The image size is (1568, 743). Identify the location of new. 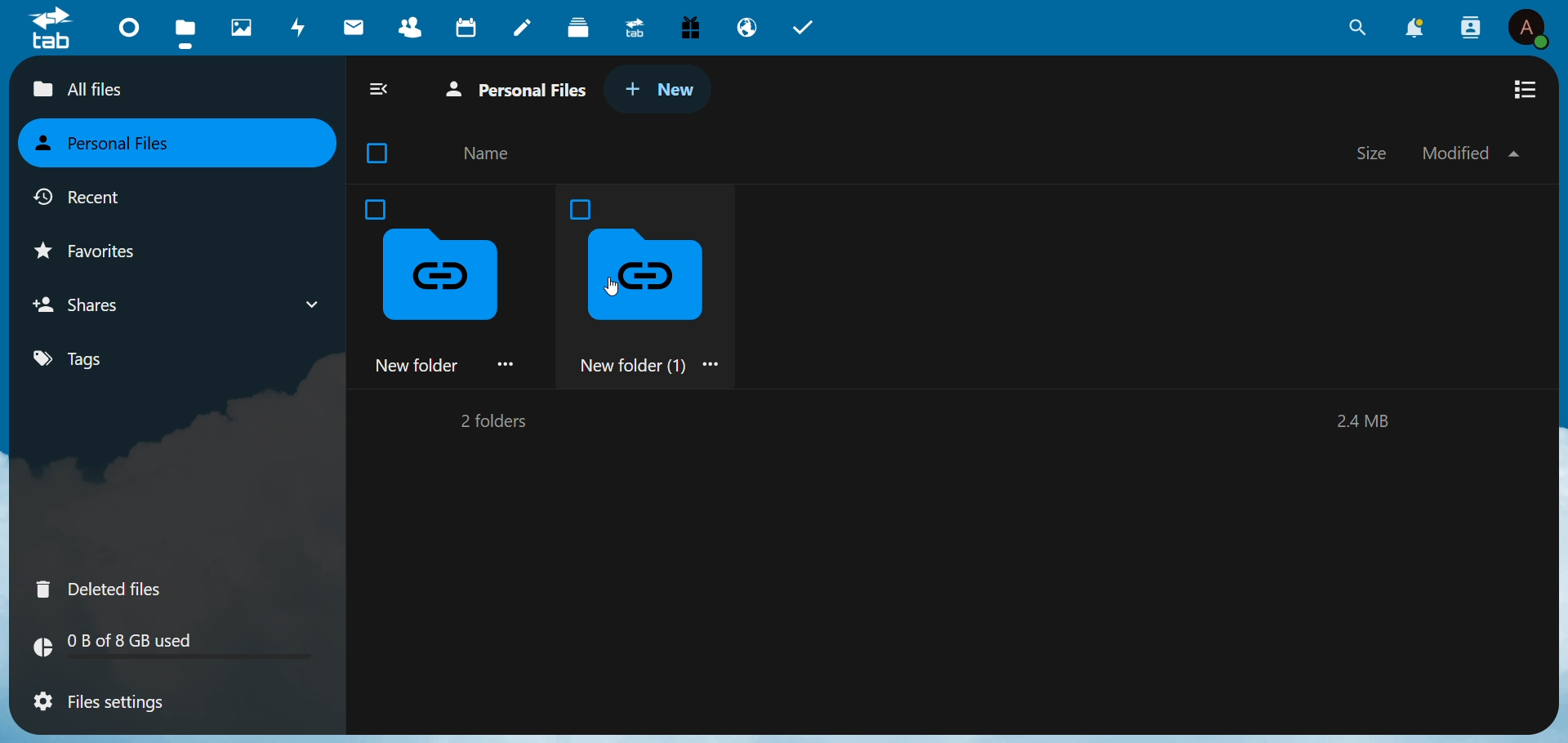
(662, 92).